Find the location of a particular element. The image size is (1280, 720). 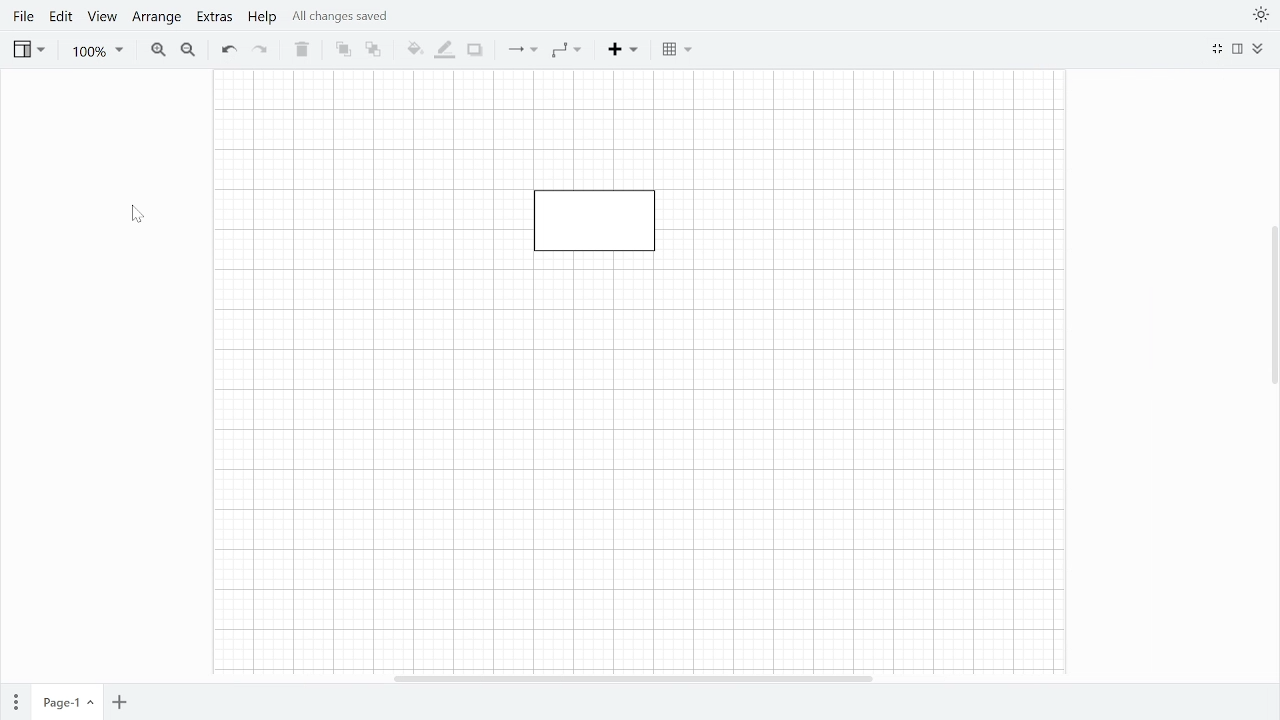

Collpase is located at coordinates (1259, 49).